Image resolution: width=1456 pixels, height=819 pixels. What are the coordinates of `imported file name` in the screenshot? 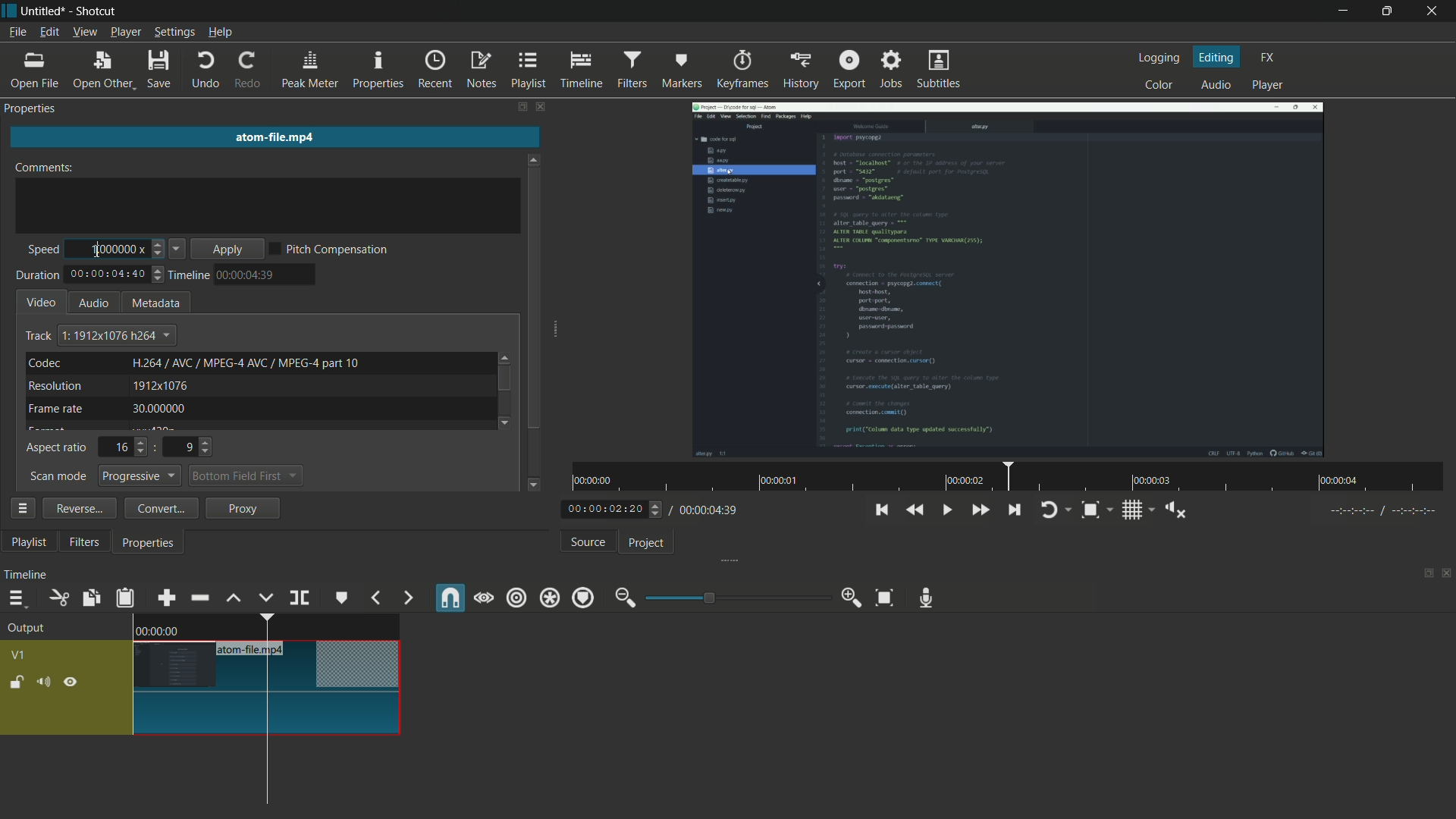 It's located at (272, 135).